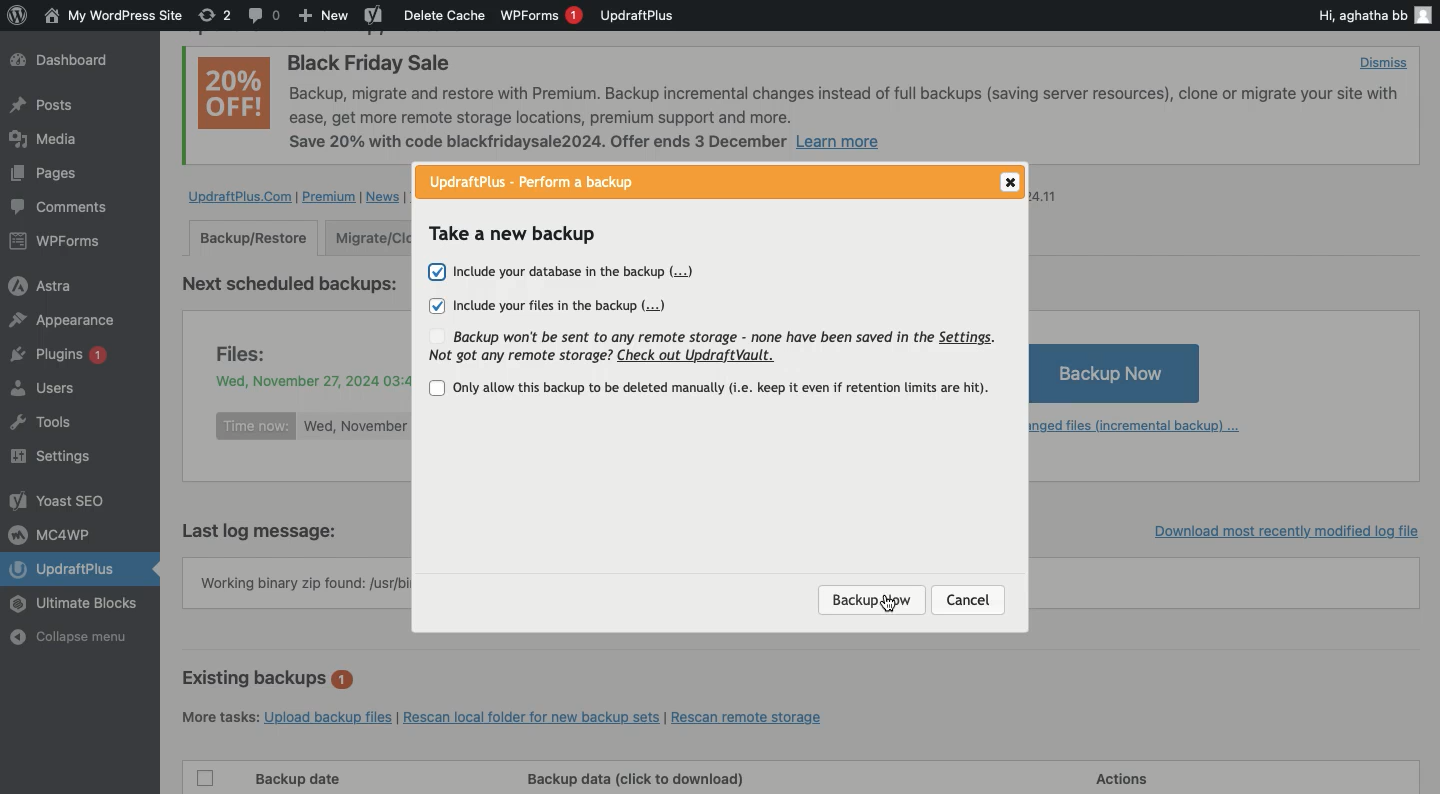 This screenshot has width=1440, height=794. What do you see at coordinates (384, 197) in the screenshot?
I see `News` at bounding box center [384, 197].